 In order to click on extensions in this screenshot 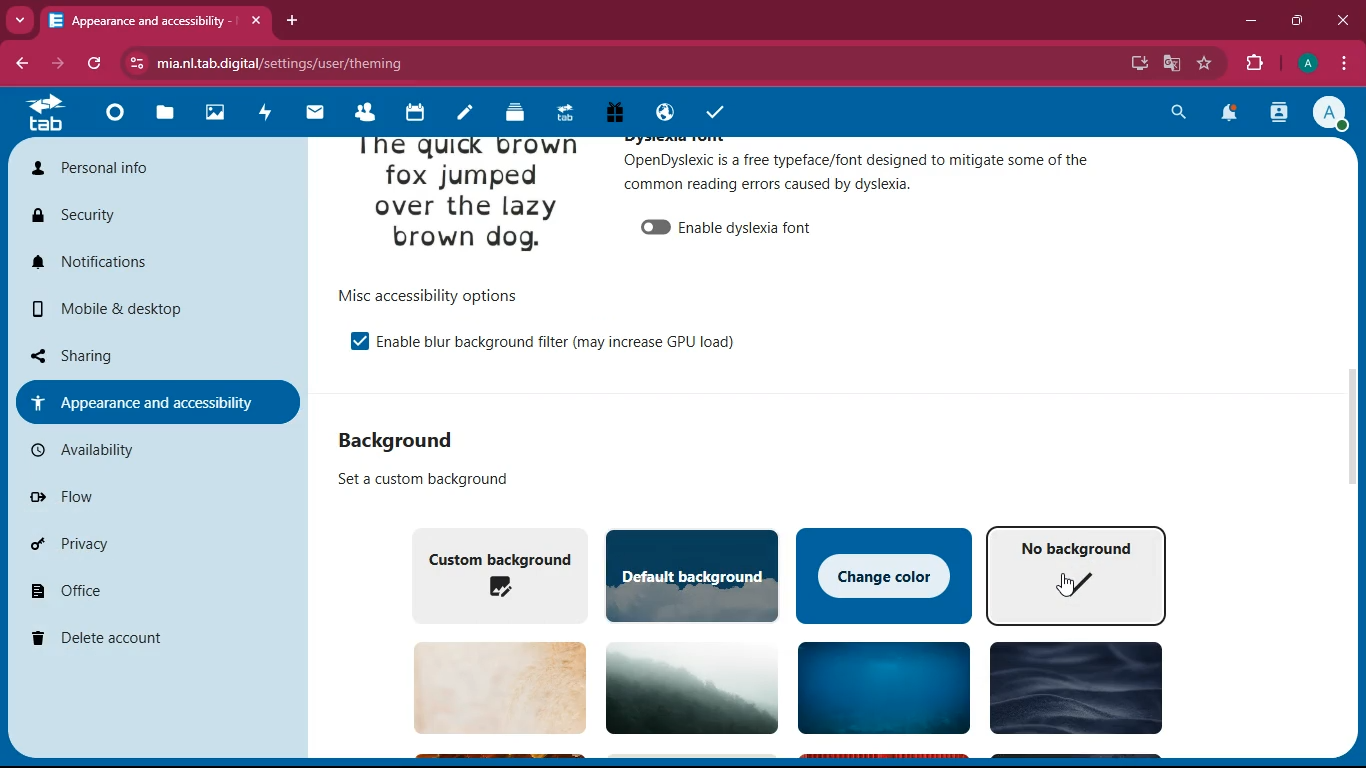, I will do `click(1255, 64)`.